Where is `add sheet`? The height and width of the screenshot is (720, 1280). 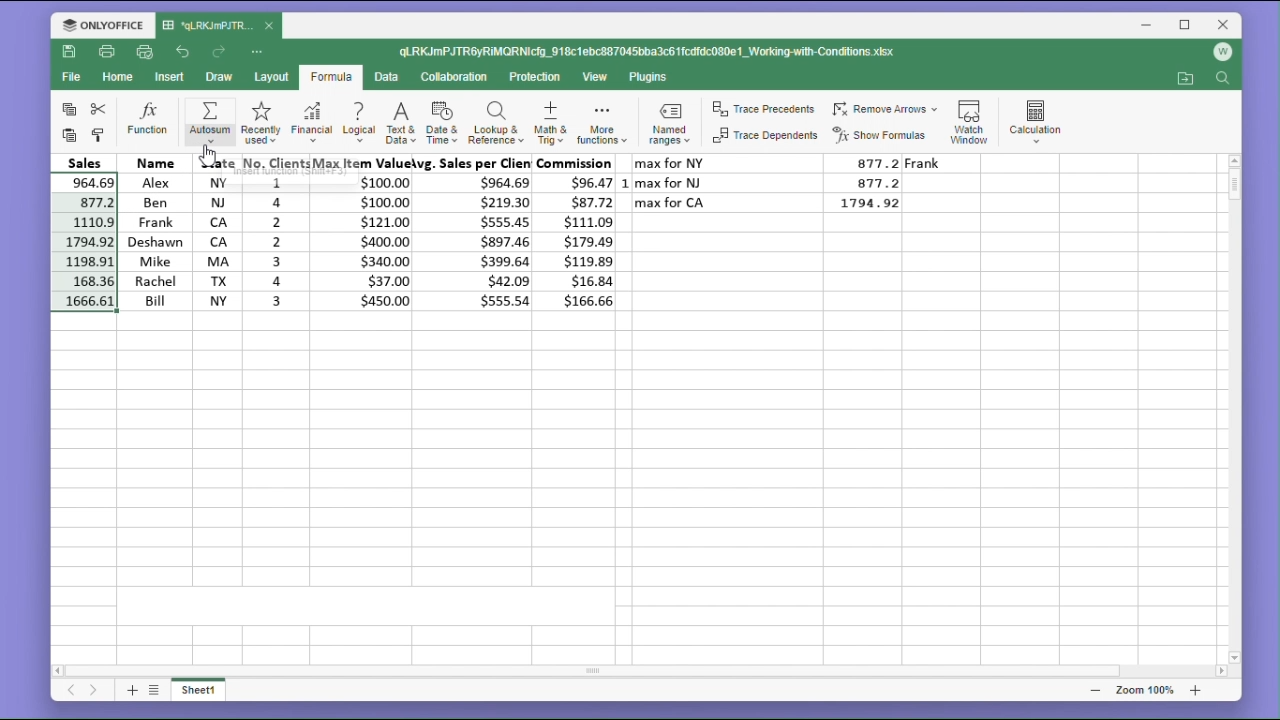 add sheet is located at coordinates (130, 690).